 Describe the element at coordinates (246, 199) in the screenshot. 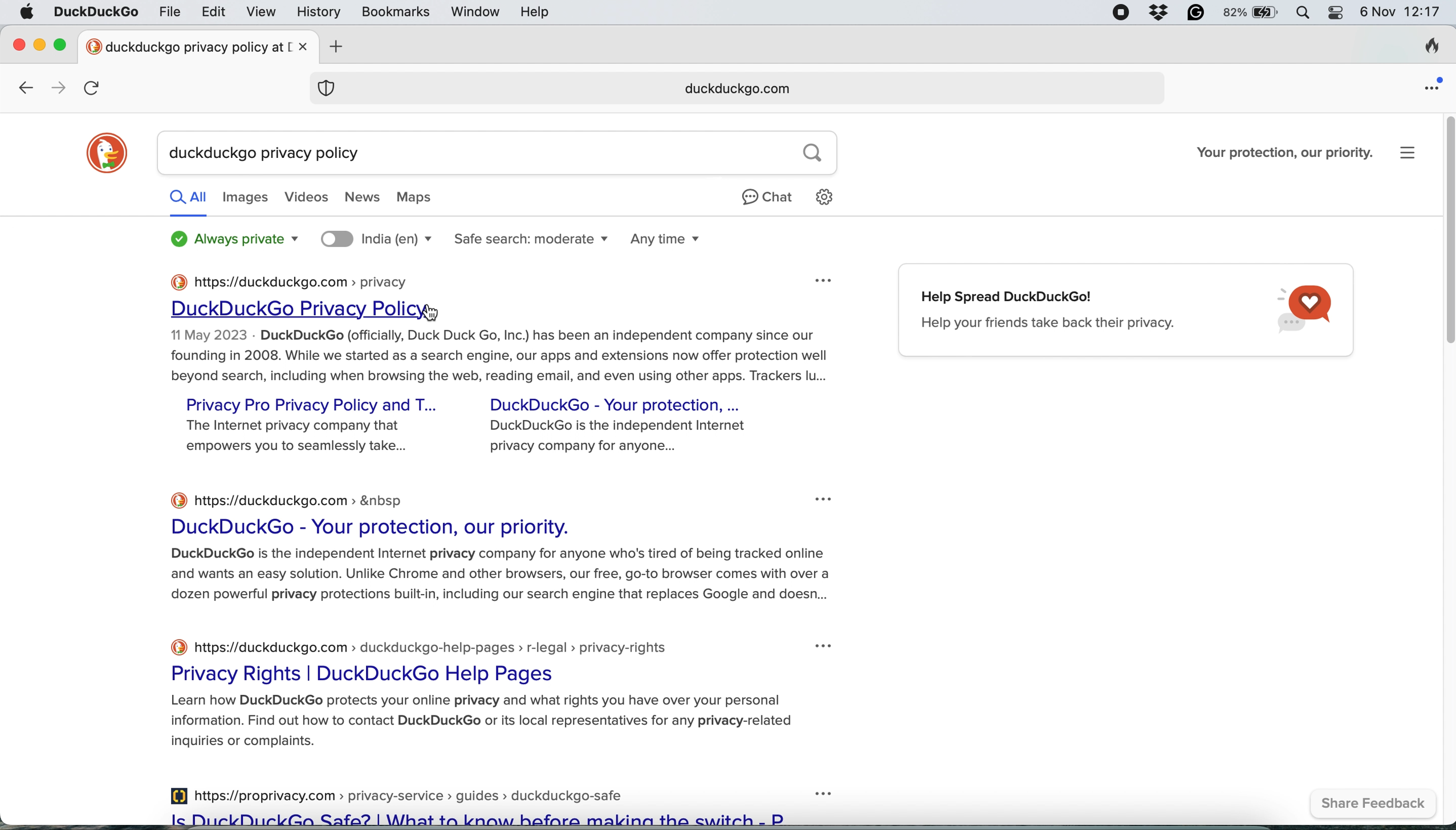

I see `images` at that location.